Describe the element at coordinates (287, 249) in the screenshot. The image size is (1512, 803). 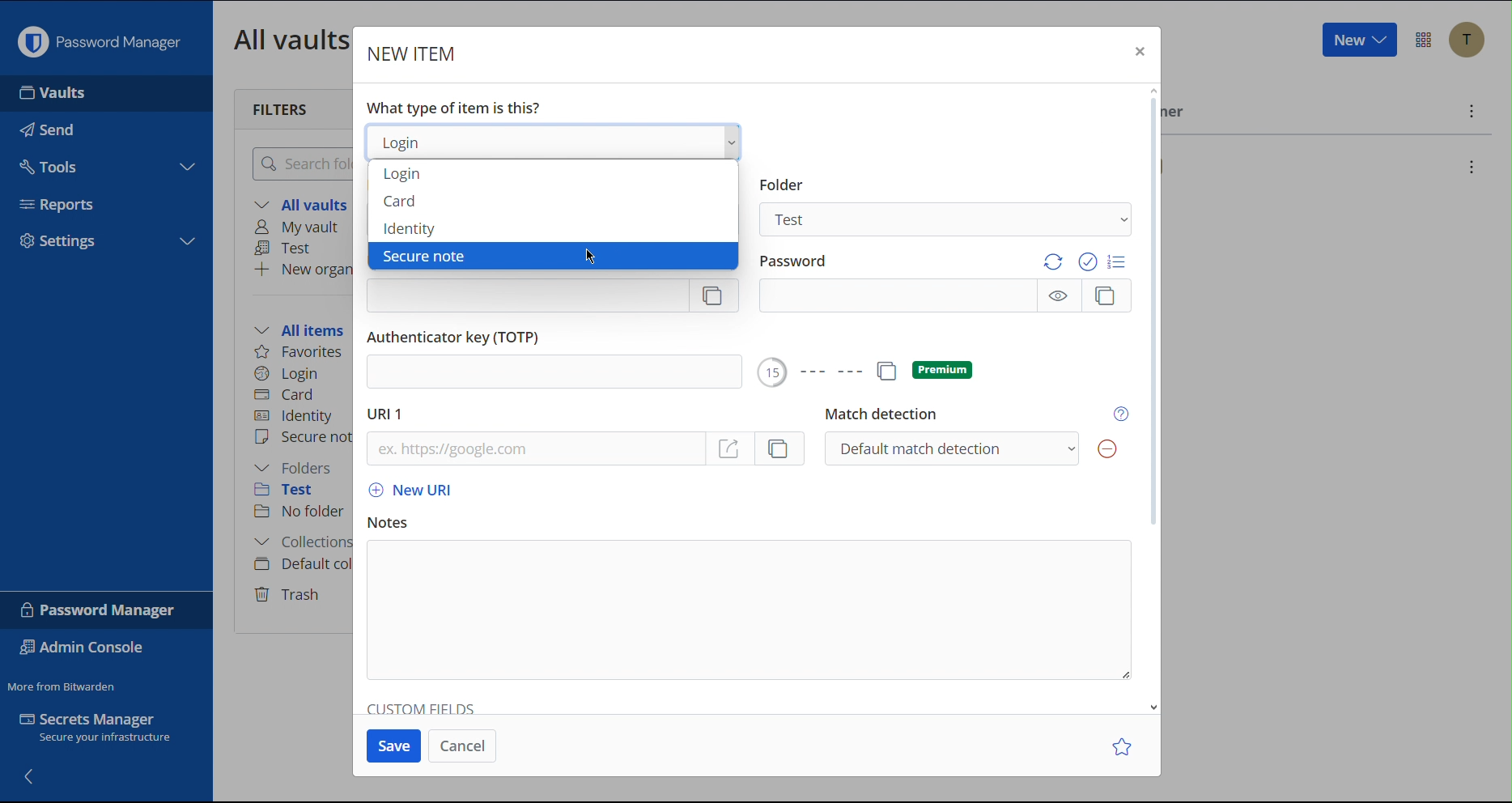
I see `Test` at that location.